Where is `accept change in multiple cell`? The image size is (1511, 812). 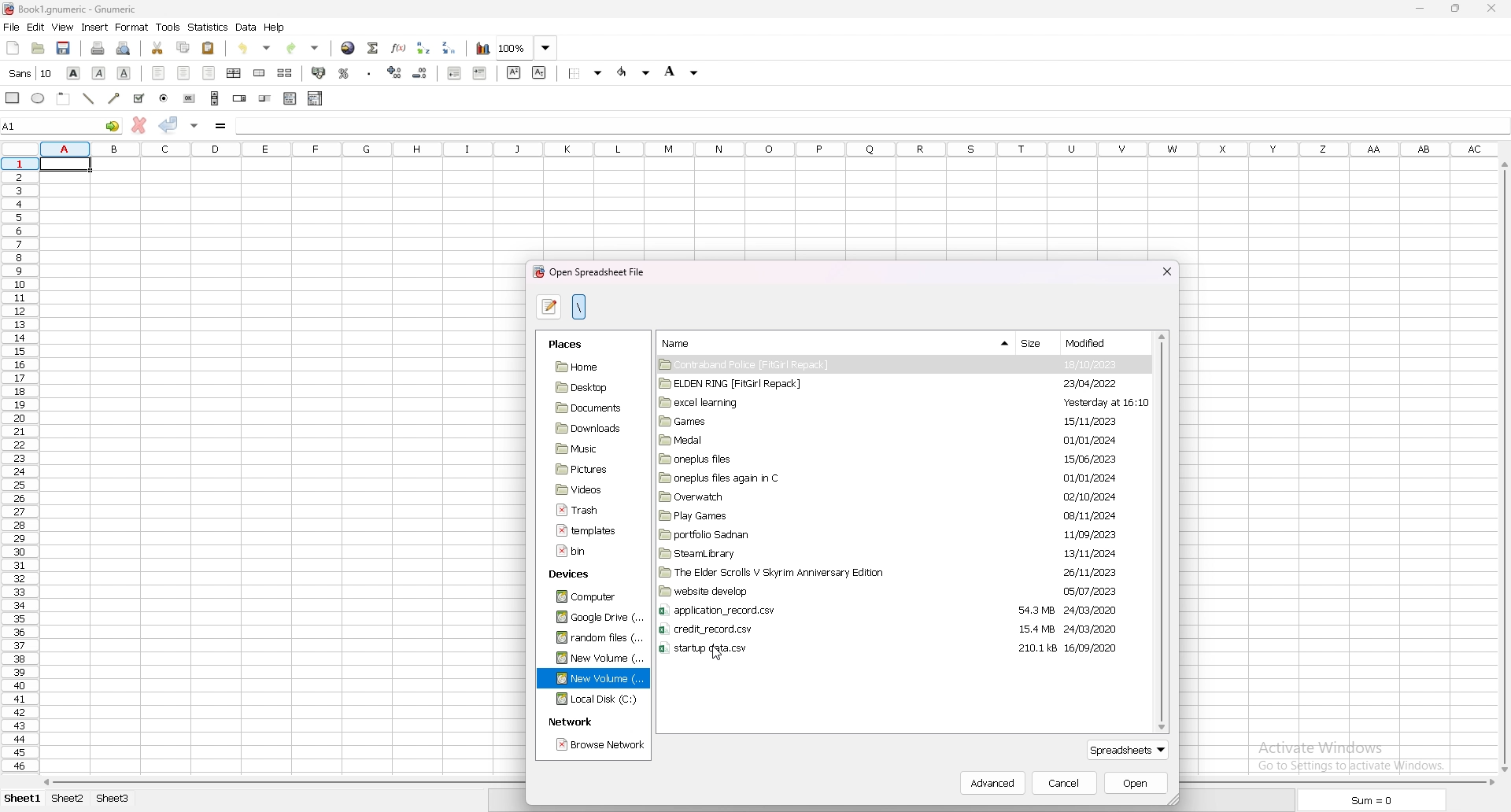 accept change in multiple cell is located at coordinates (194, 125).